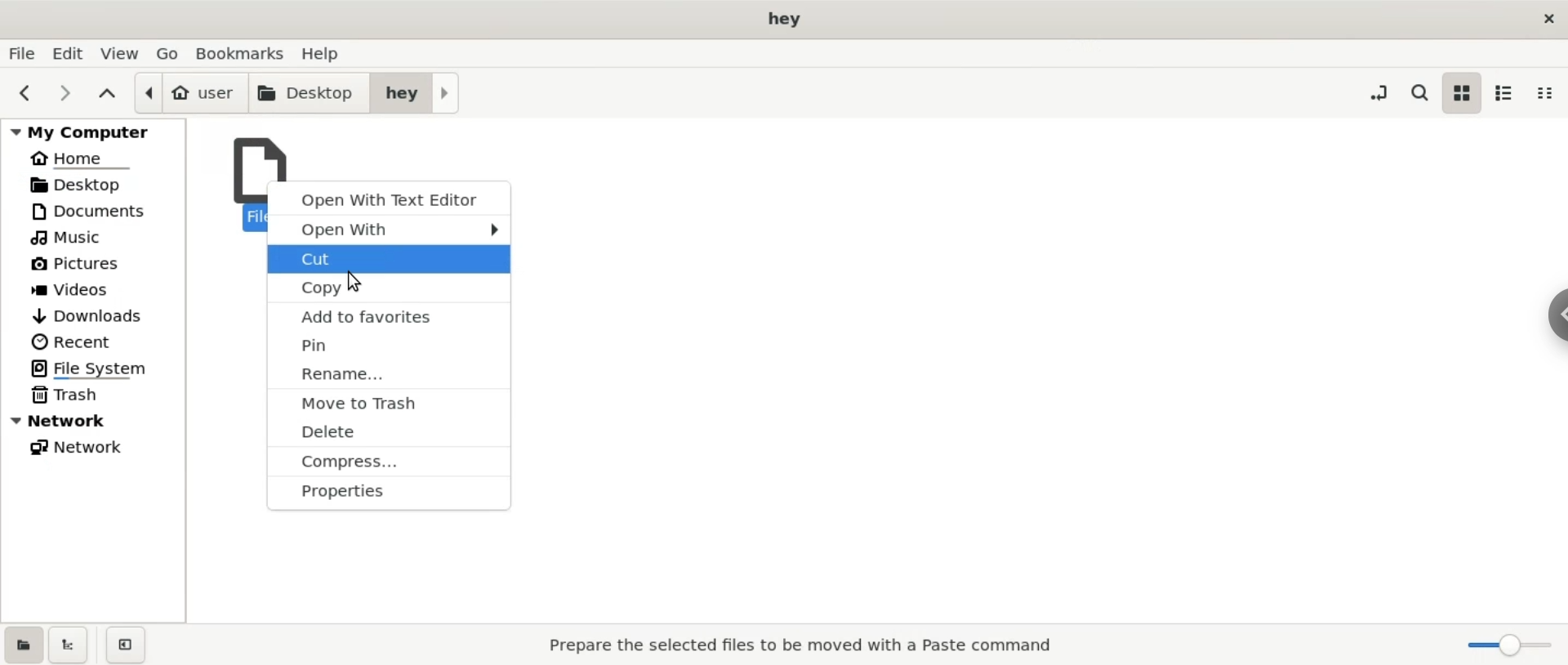 The image size is (1568, 665). Describe the element at coordinates (100, 263) in the screenshot. I see `pictures` at that location.